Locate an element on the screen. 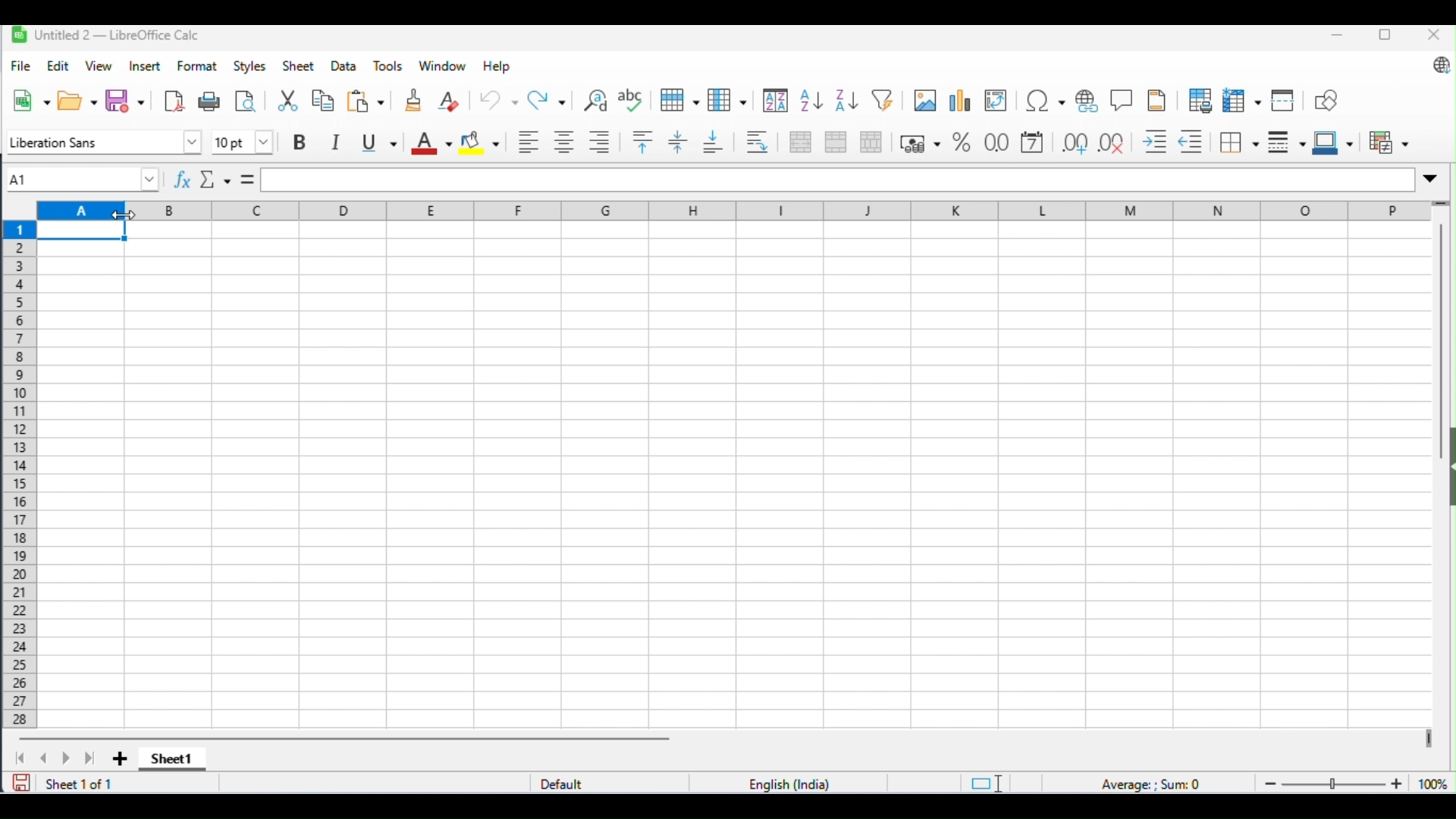  format as percent is located at coordinates (961, 142).